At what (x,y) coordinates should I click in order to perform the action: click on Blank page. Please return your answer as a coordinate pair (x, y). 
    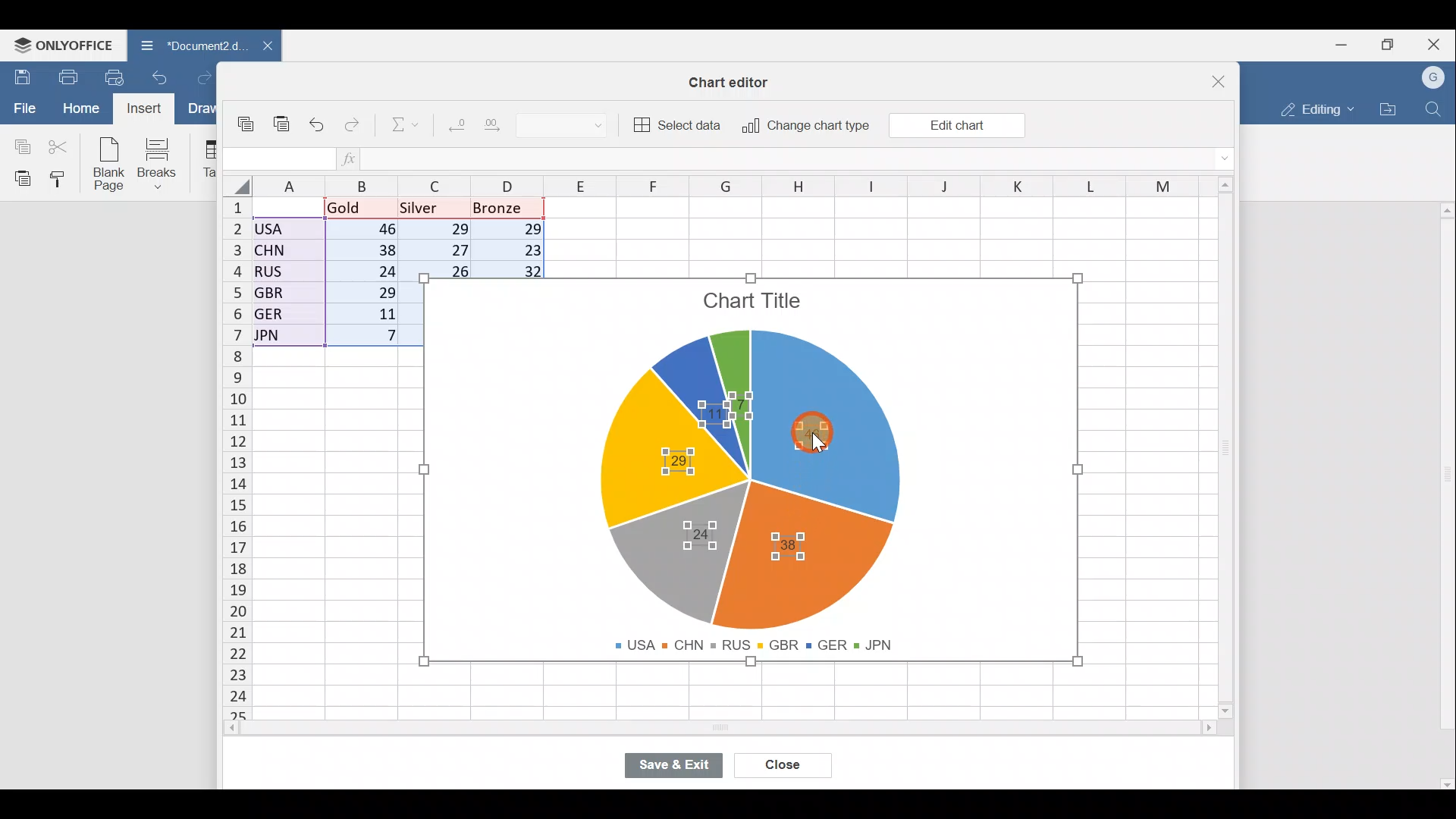
    Looking at the image, I should click on (105, 162).